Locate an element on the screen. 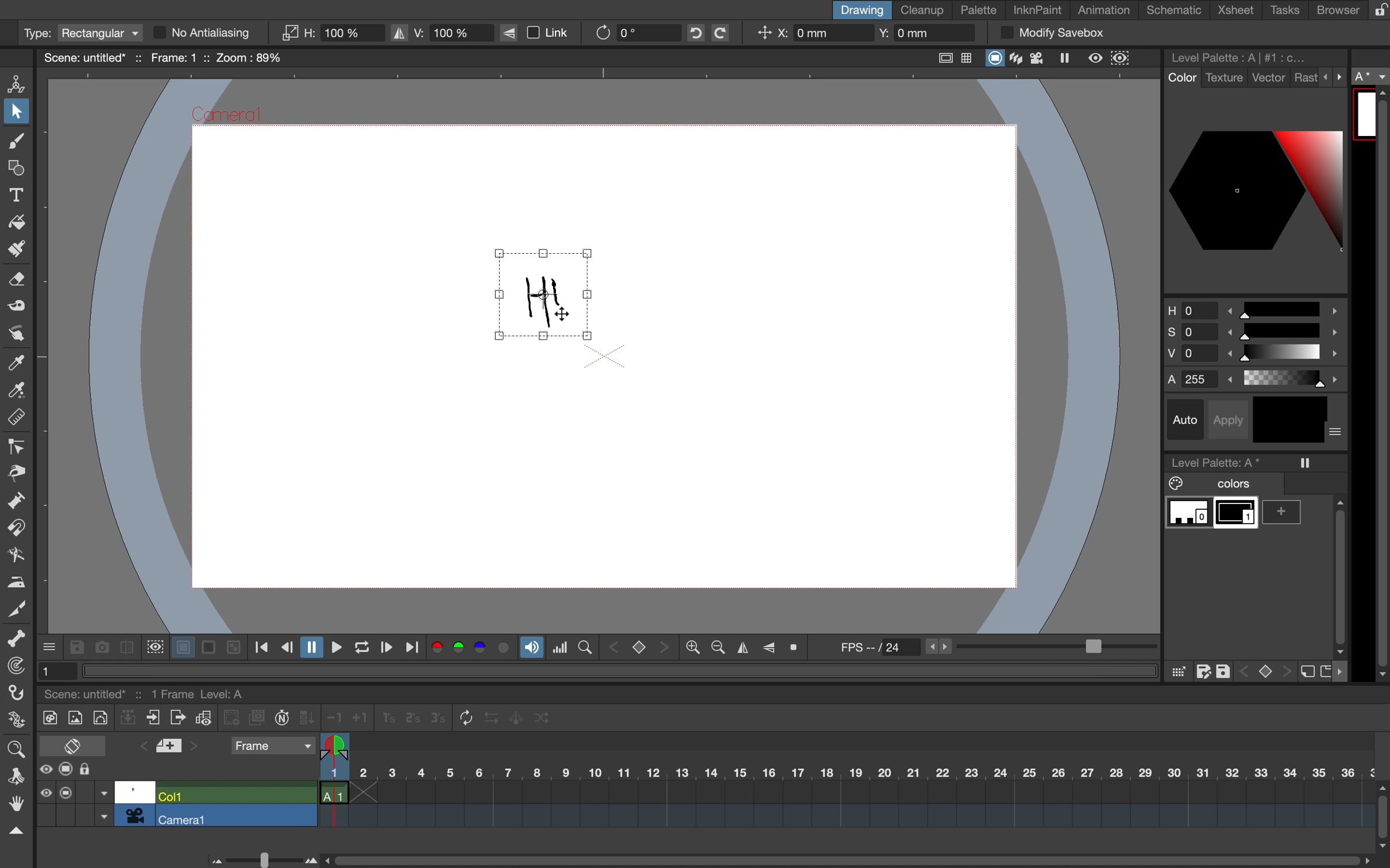 This screenshot has width=1390, height=868. animation is located at coordinates (1109, 11).